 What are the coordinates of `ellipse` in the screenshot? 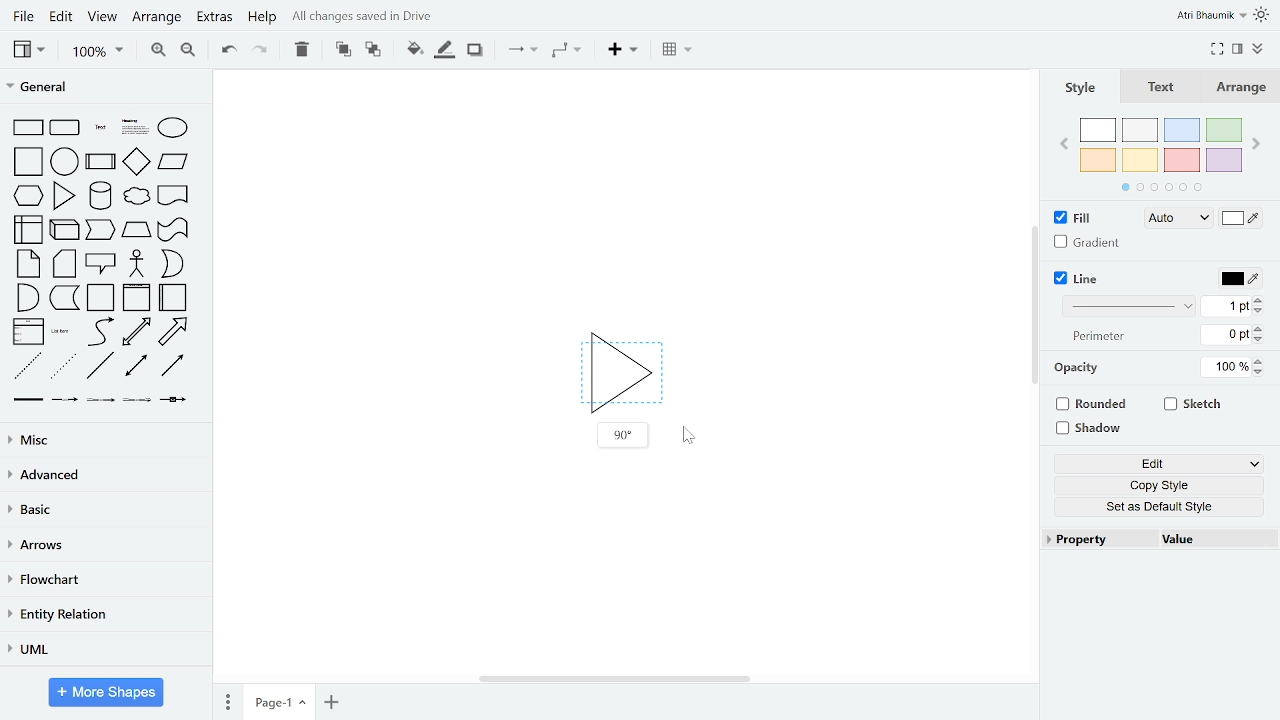 It's located at (174, 127).